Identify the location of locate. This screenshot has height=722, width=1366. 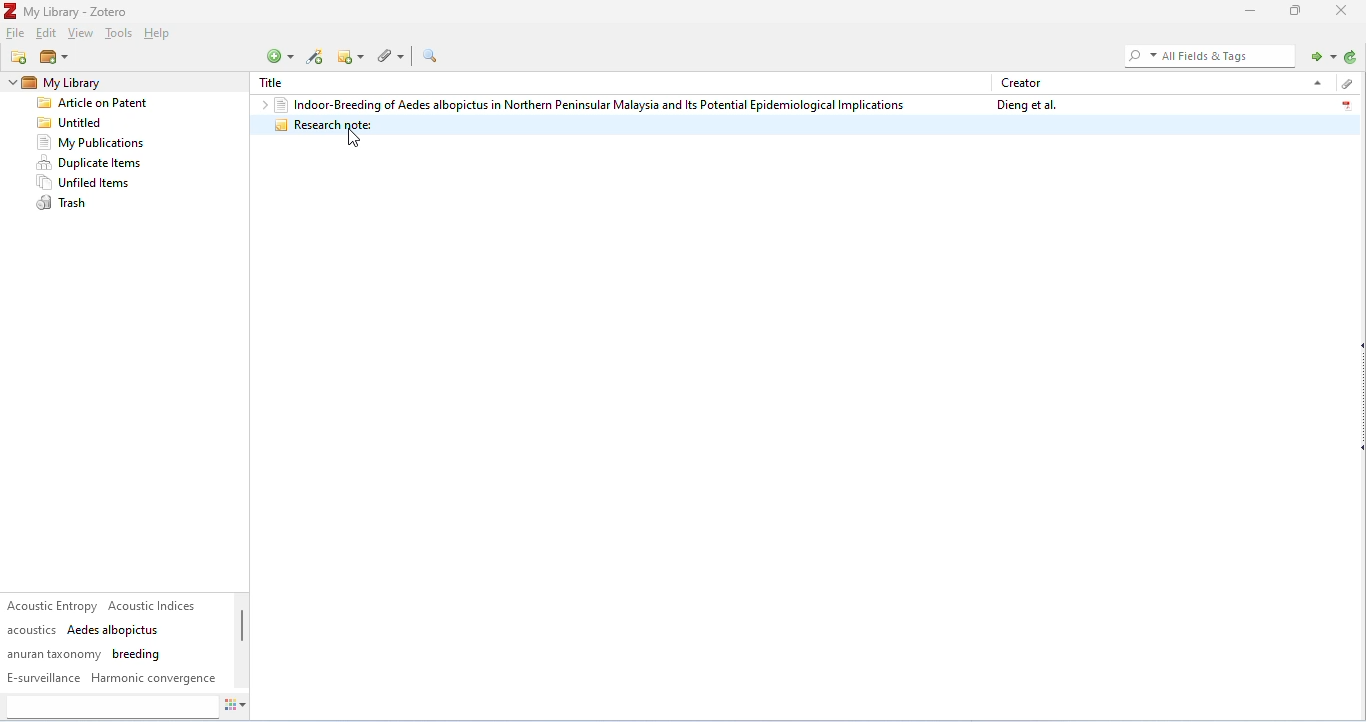
(1320, 55).